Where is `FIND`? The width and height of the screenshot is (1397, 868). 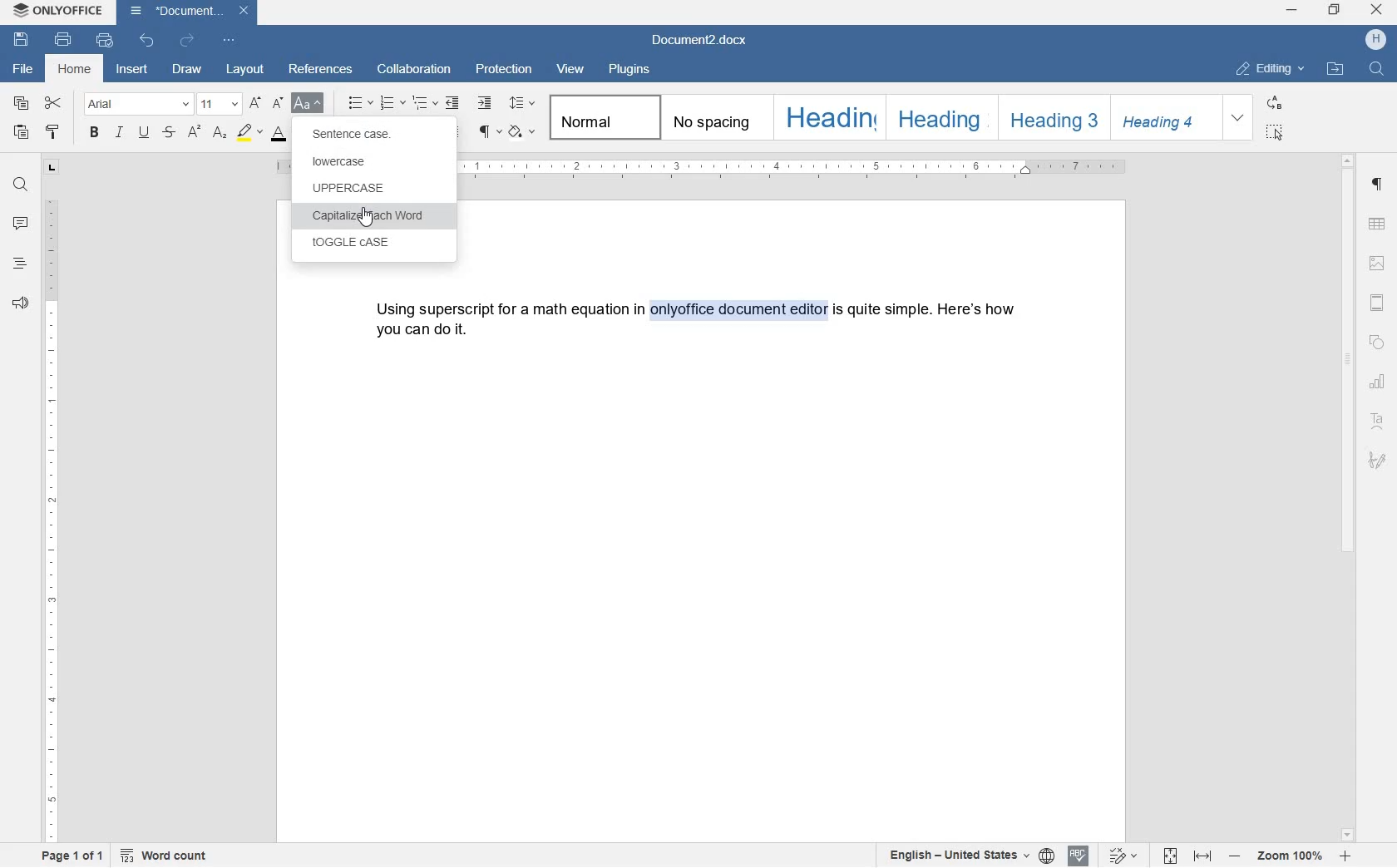
FIND is located at coordinates (1375, 69).